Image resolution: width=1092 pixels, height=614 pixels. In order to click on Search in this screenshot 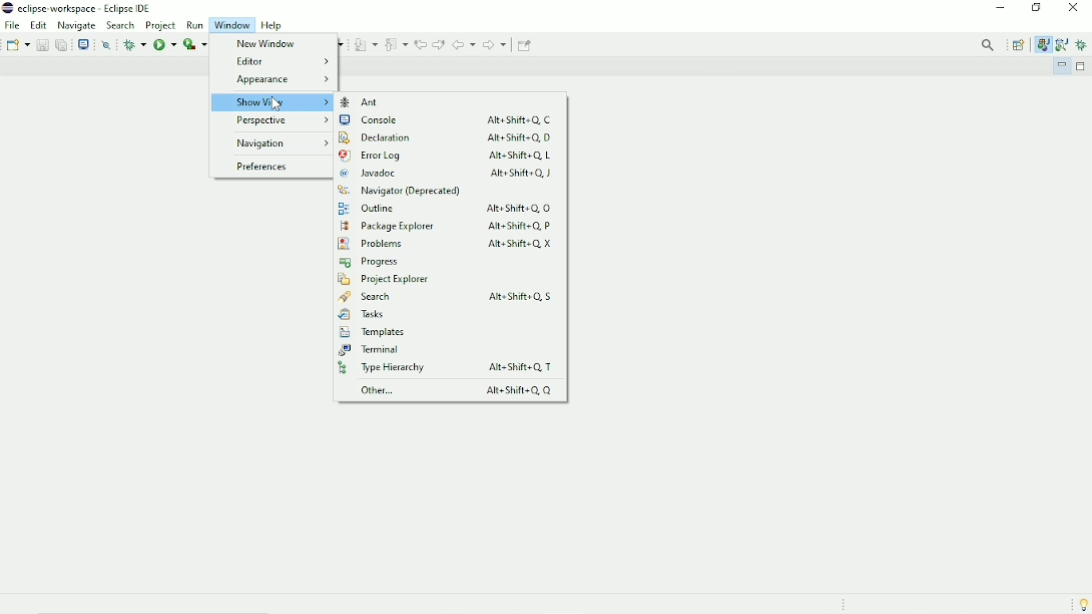, I will do `click(121, 26)`.